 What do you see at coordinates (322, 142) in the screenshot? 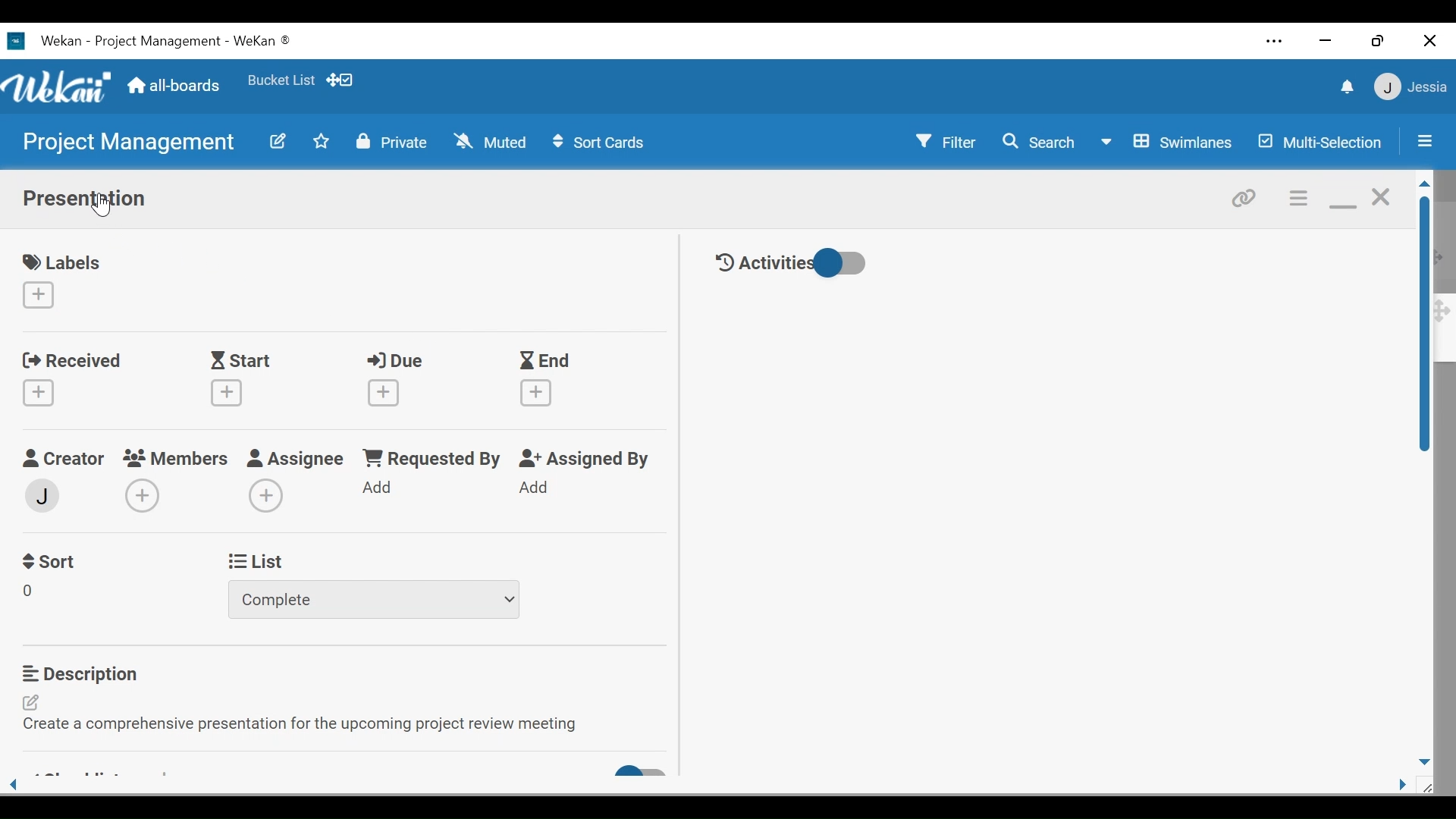
I see `Toggle favorites` at bounding box center [322, 142].